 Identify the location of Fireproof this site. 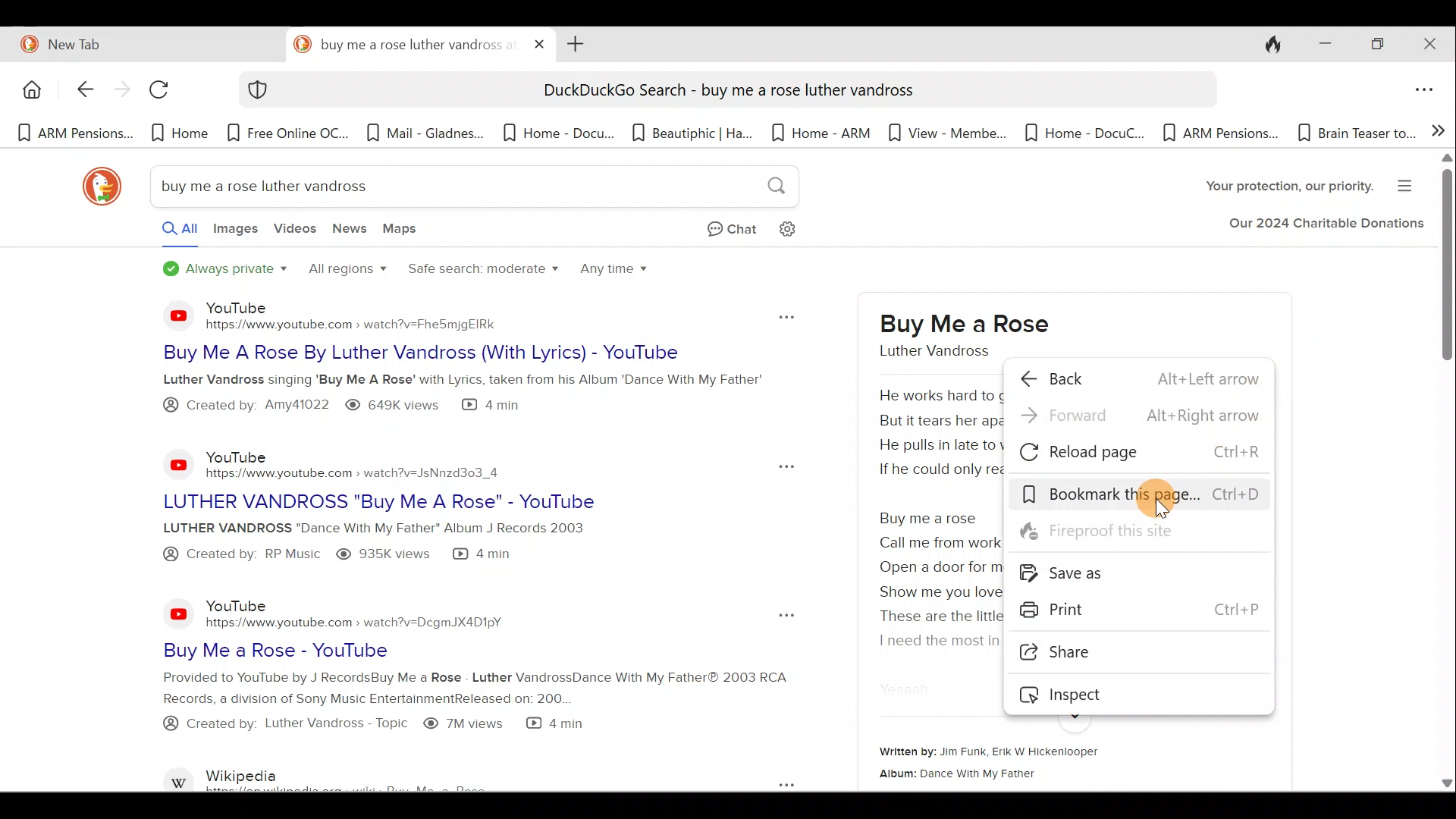
(1136, 536).